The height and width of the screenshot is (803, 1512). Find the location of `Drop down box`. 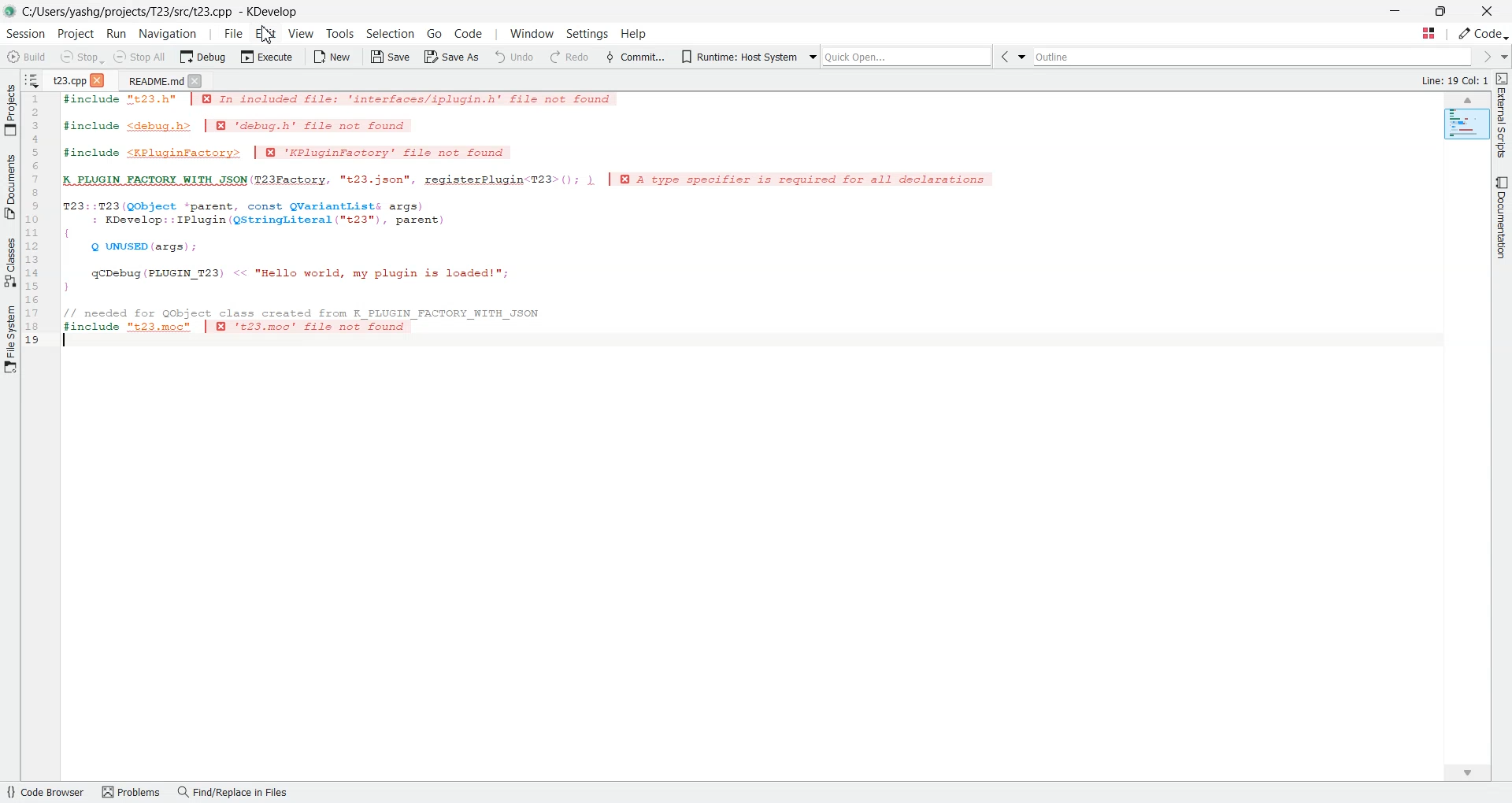

Drop down box is located at coordinates (1503, 57).